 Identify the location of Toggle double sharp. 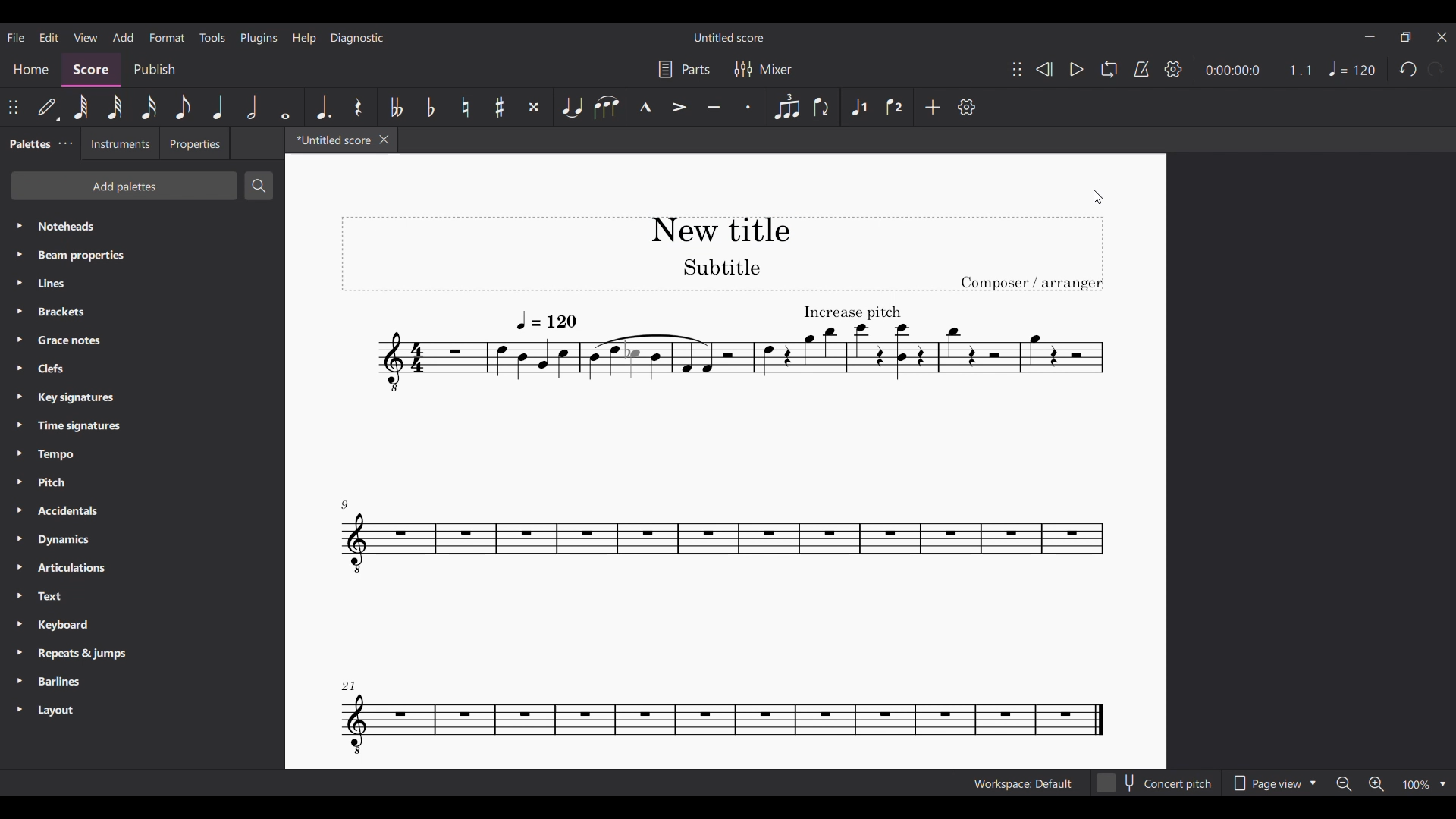
(534, 107).